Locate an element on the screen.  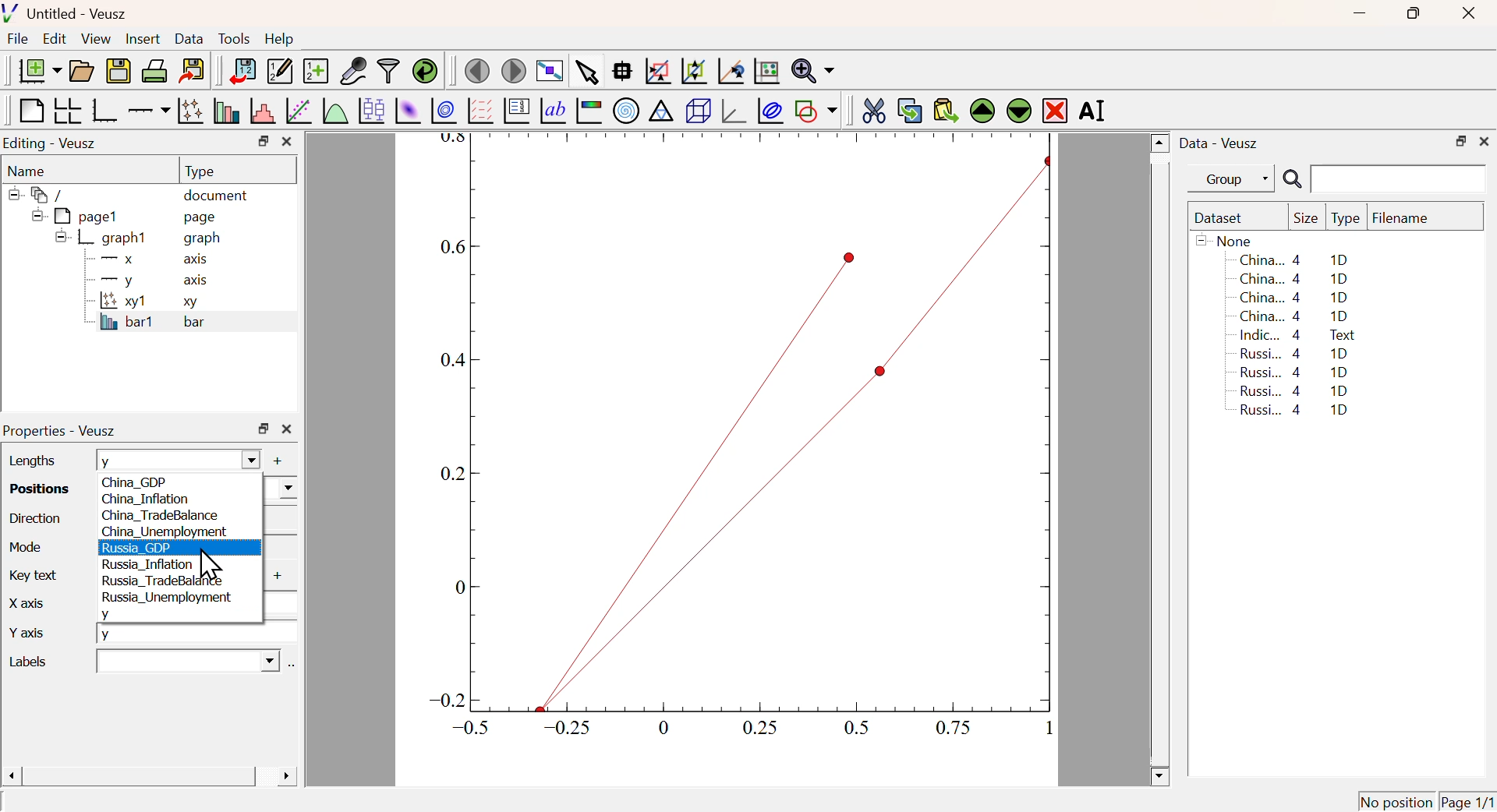
Text Label is located at coordinates (553, 111).